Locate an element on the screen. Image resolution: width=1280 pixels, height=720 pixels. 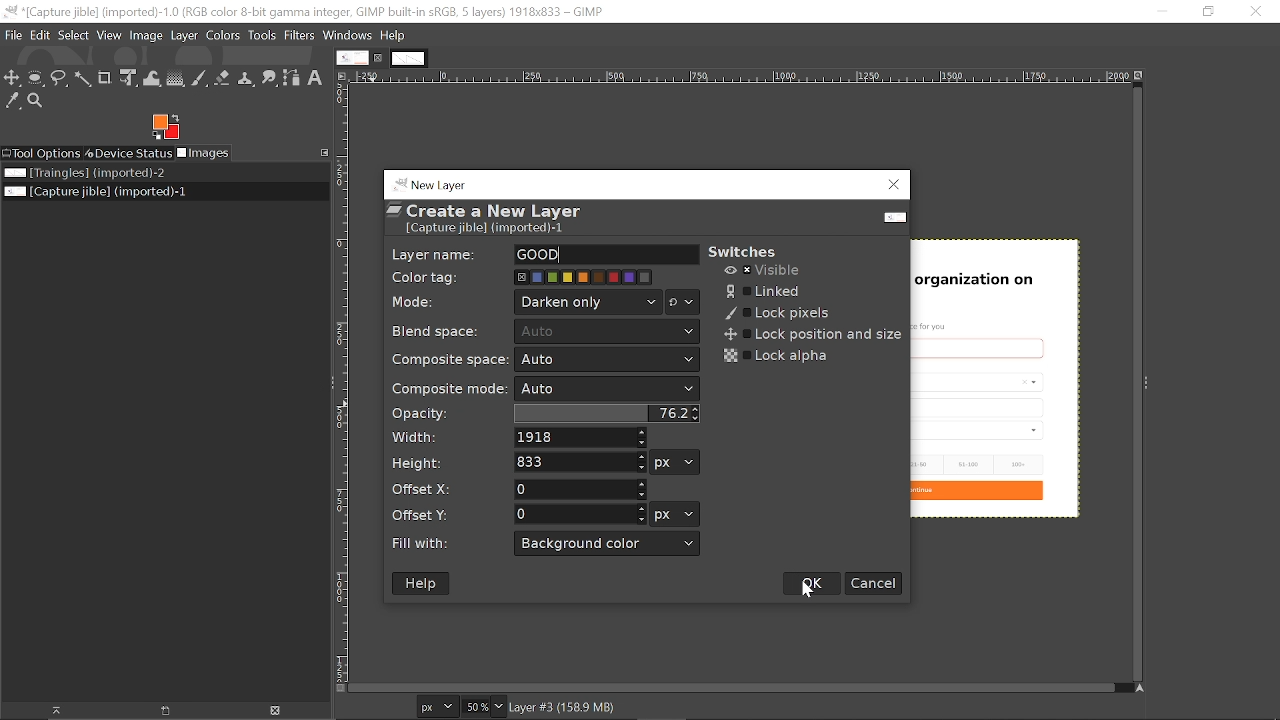
Background color is located at coordinates (608, 544).